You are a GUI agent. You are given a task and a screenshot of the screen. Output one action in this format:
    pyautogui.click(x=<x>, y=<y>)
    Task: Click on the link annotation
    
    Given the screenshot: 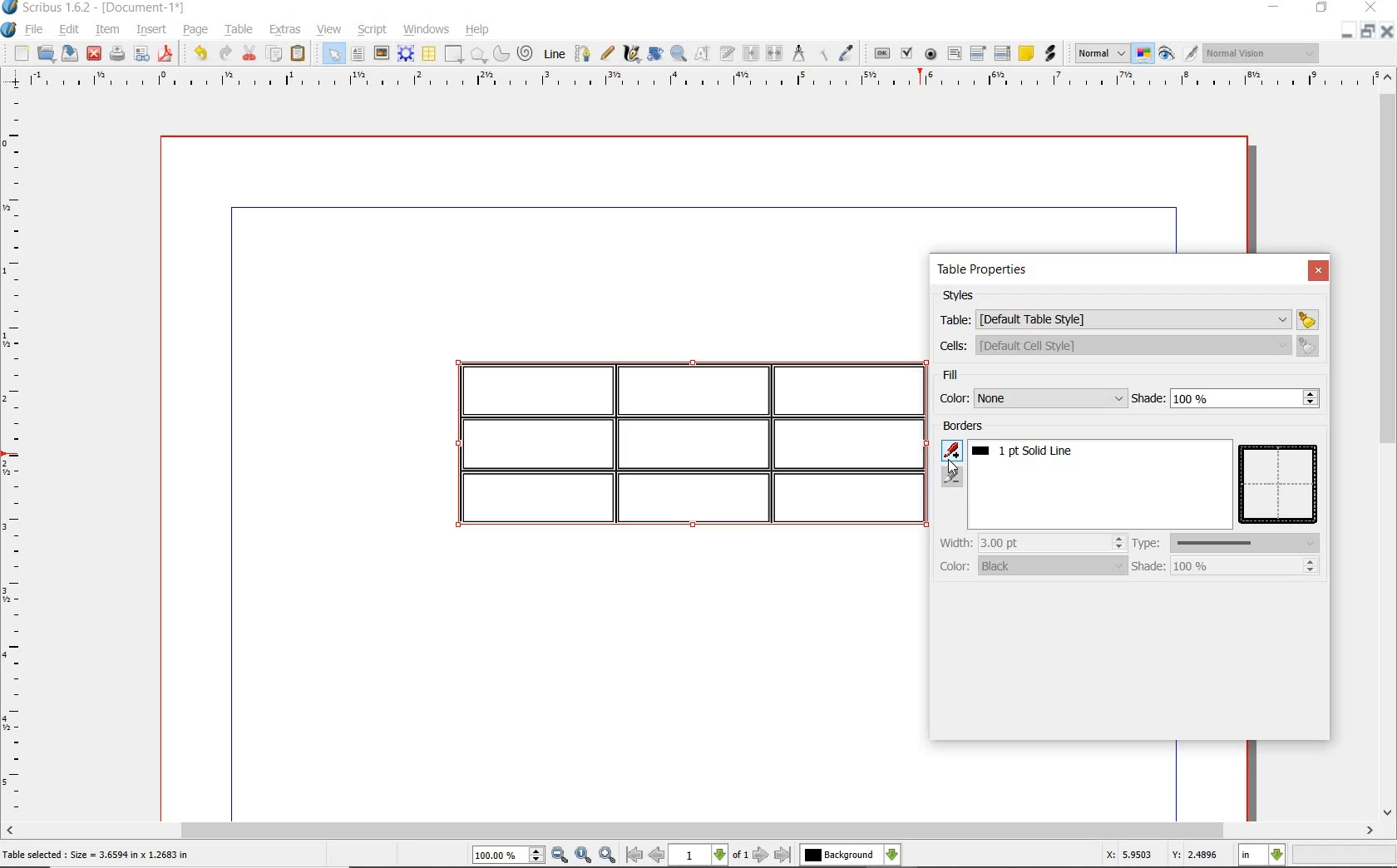 What is the action you would take?
    pyautogui.click(x=1051, y=54)
    